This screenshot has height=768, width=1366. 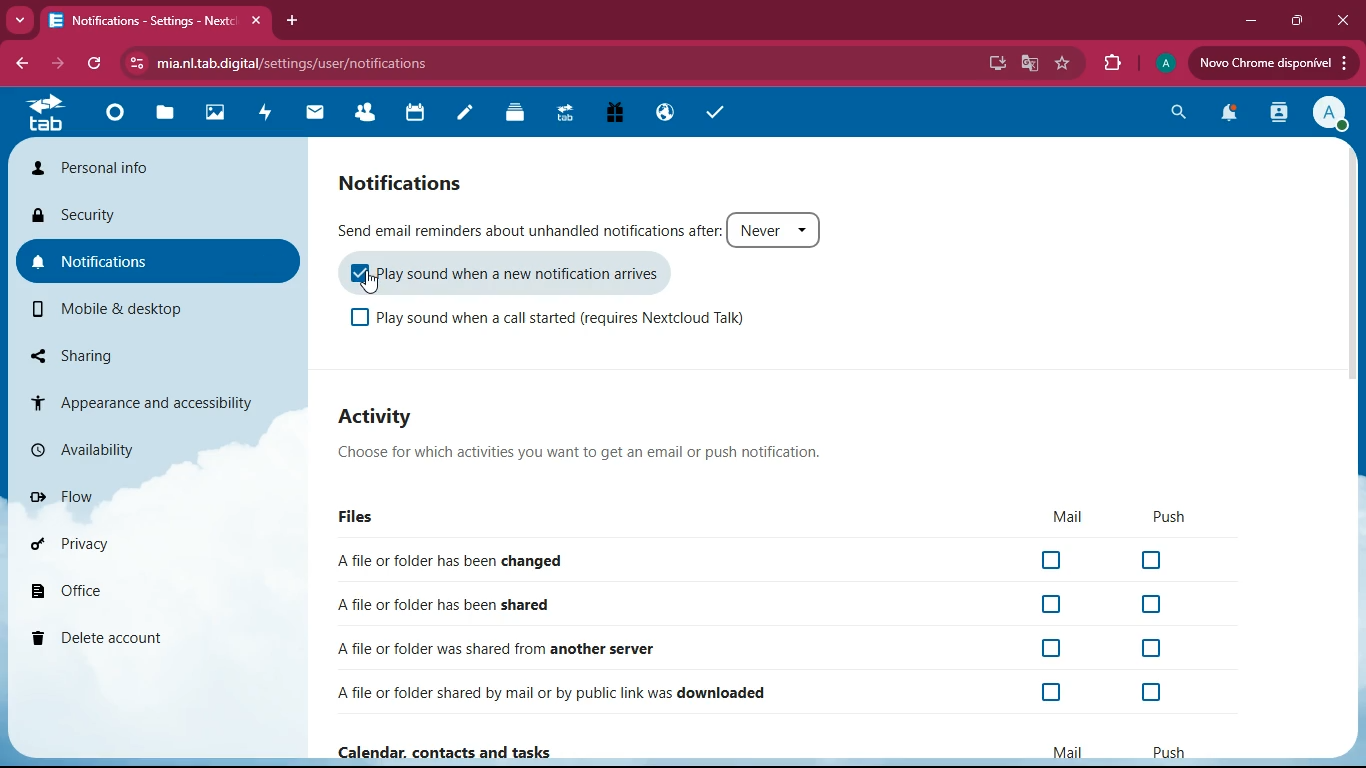 I want to click on downloaded, so click(x=559, y=691).